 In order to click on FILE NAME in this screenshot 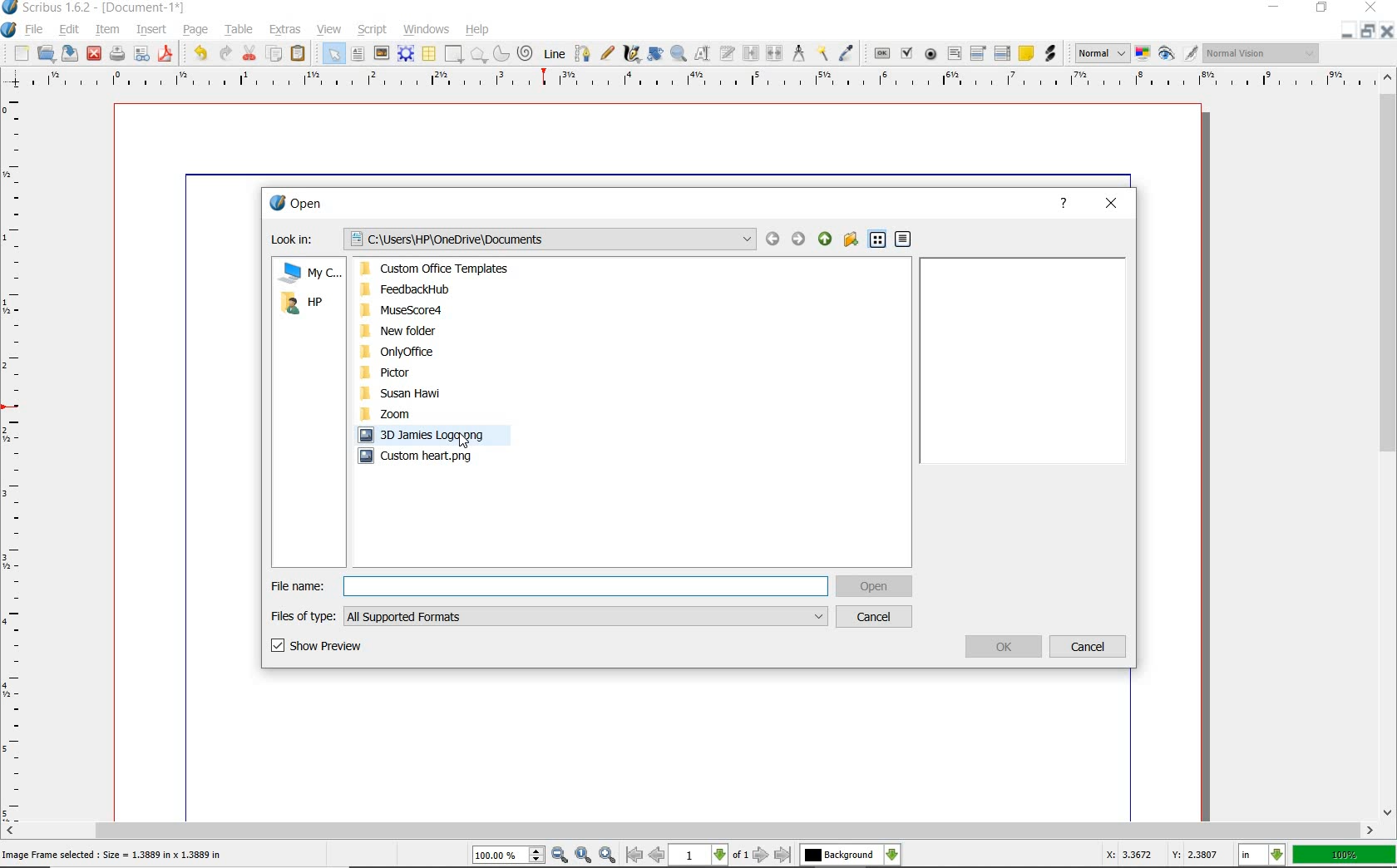, I will do `click(547, 586)`.